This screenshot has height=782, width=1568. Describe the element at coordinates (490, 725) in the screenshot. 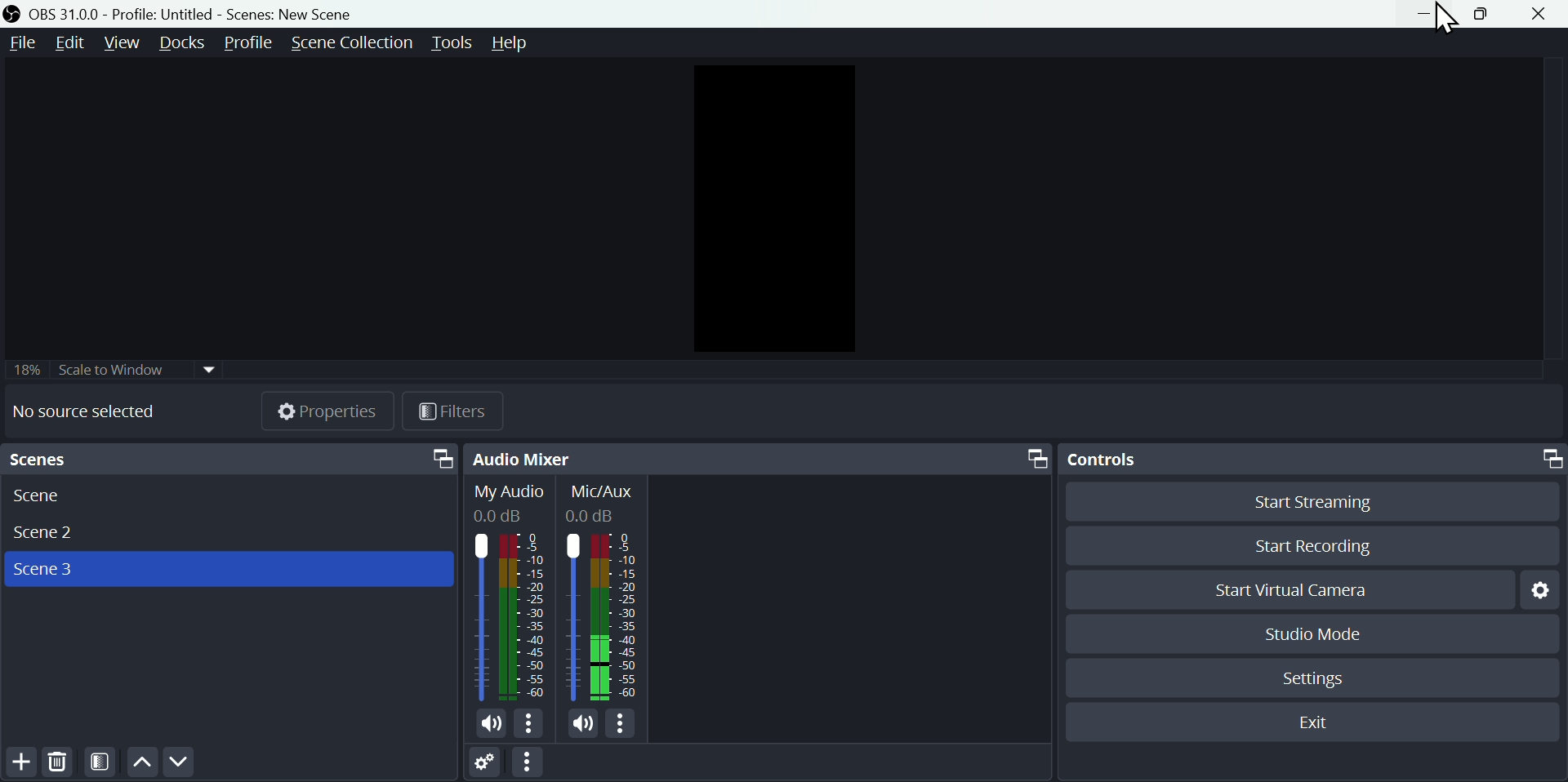

I see `(un)mute` at that location.